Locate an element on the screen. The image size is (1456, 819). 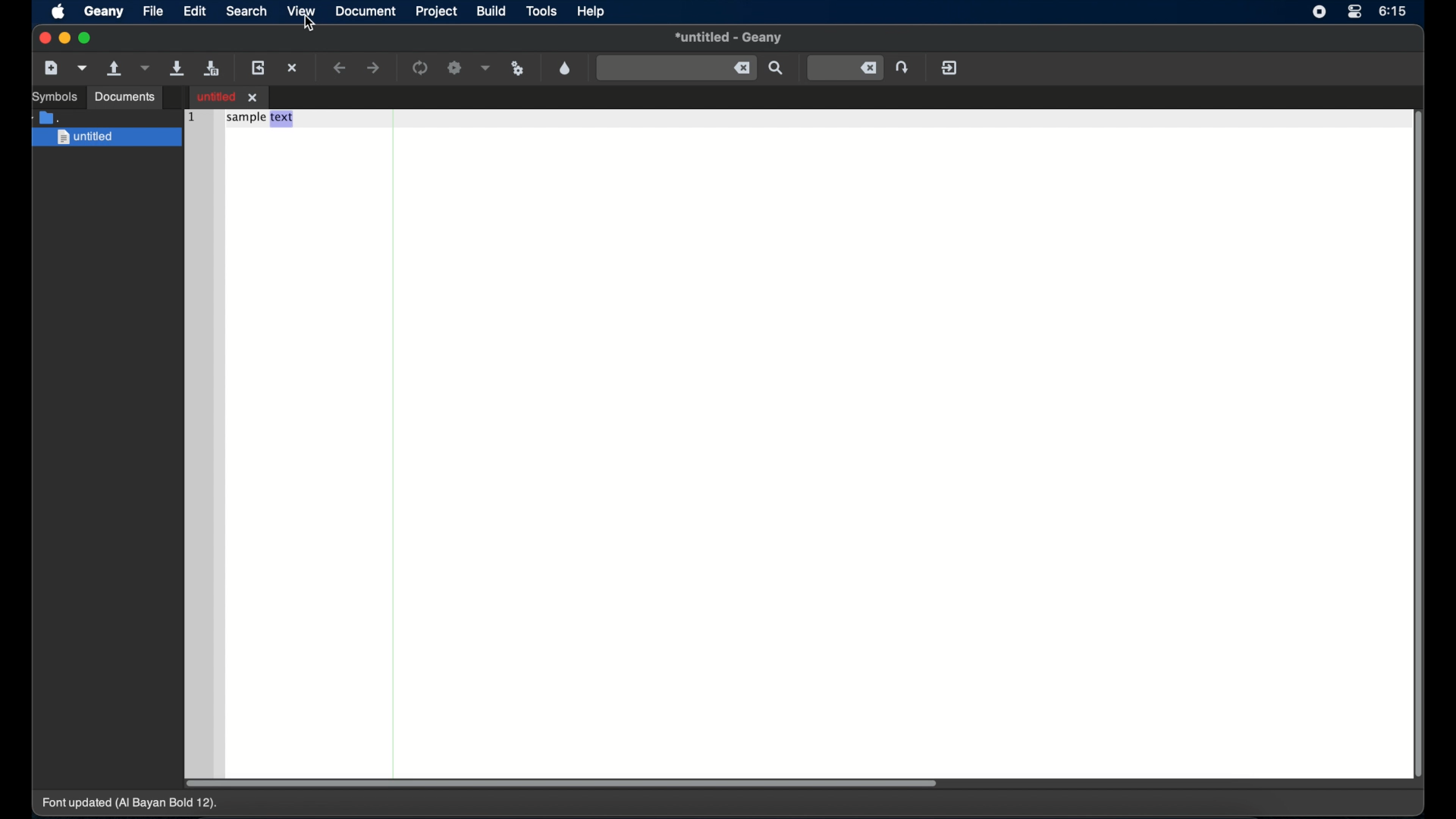
build the current file is located at coordinates (456, 68).